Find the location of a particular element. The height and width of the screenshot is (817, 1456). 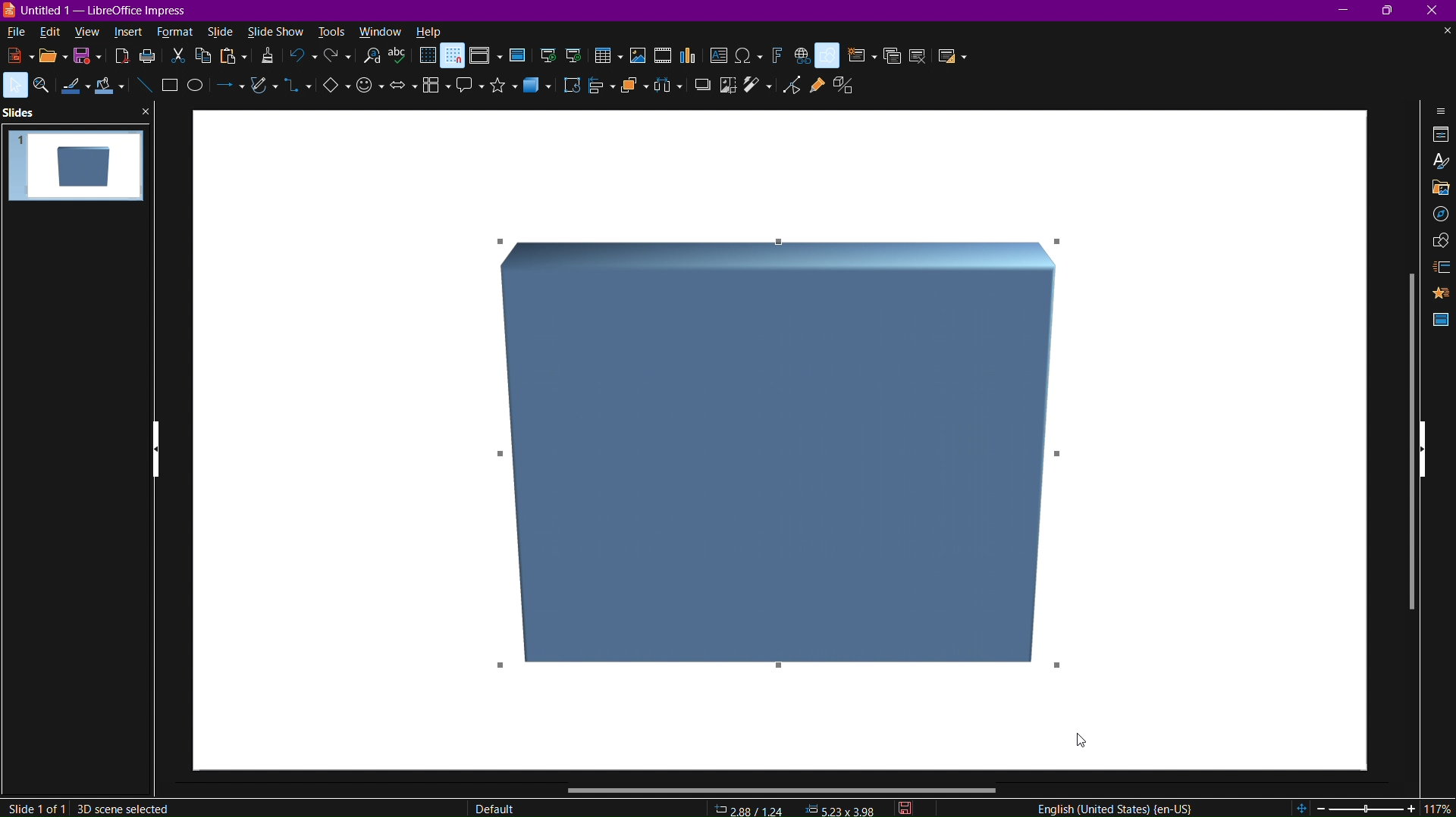

Select at least three objects to distribute is located at coordinates (667, 90).